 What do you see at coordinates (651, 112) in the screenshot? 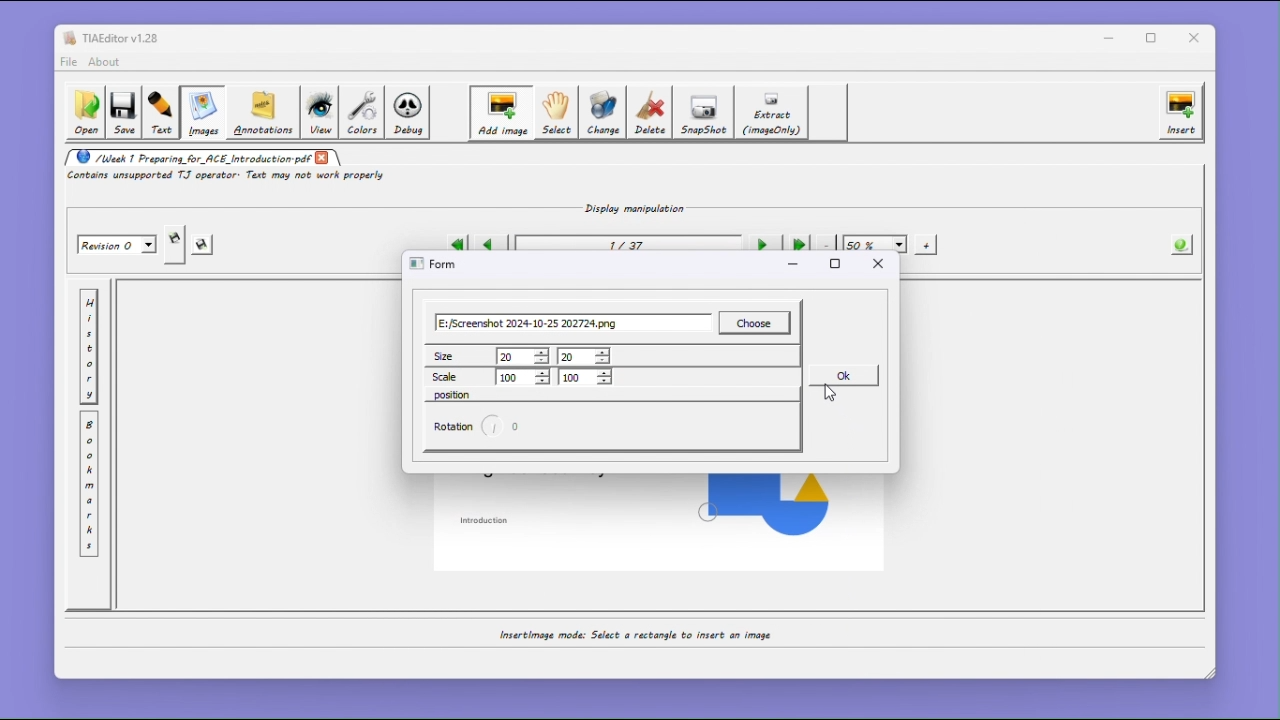
I see `Delete ` at bounding box center [651, 112].